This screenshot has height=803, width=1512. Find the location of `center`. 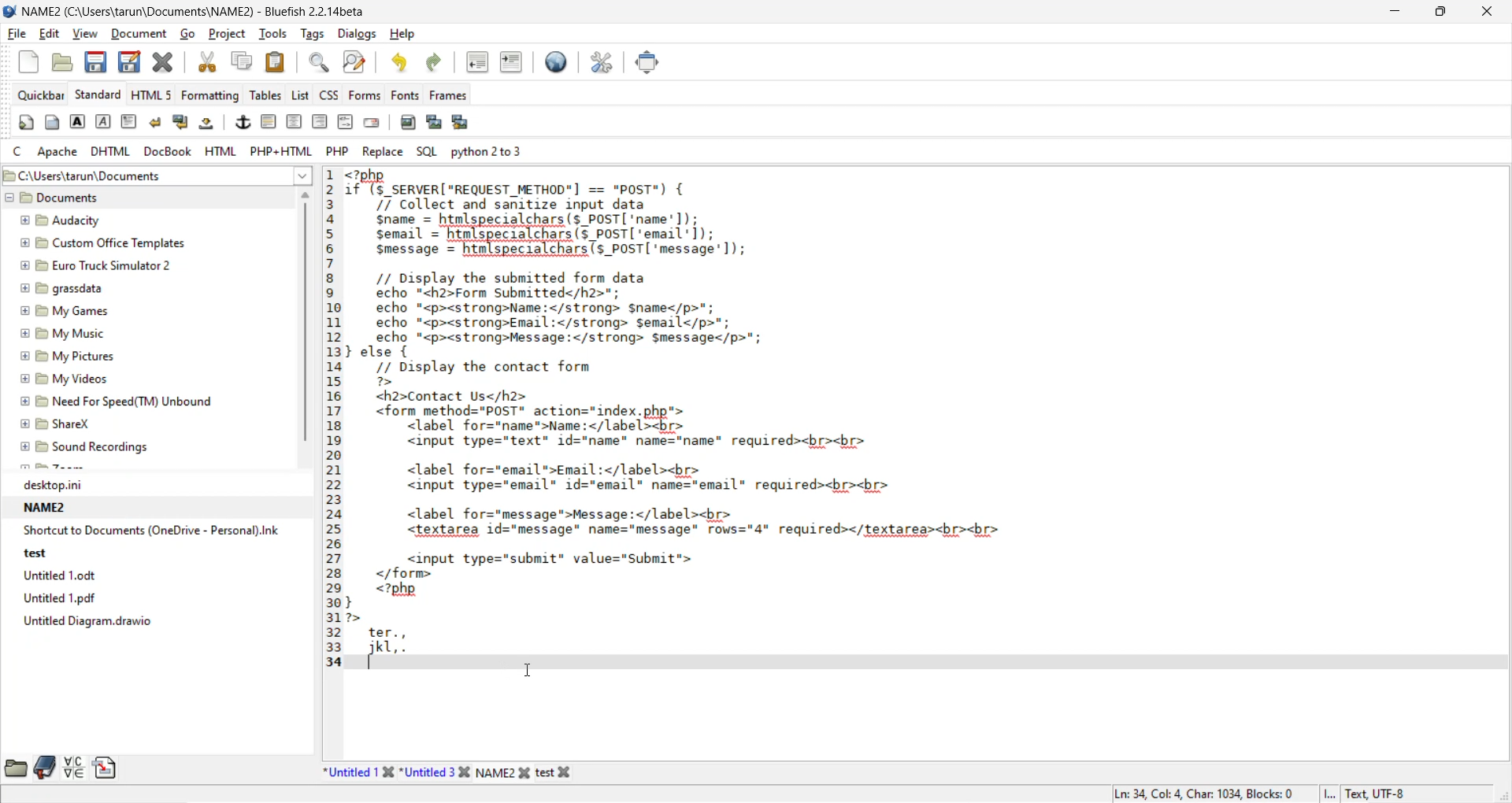

center is located at coordinates (294, 123).